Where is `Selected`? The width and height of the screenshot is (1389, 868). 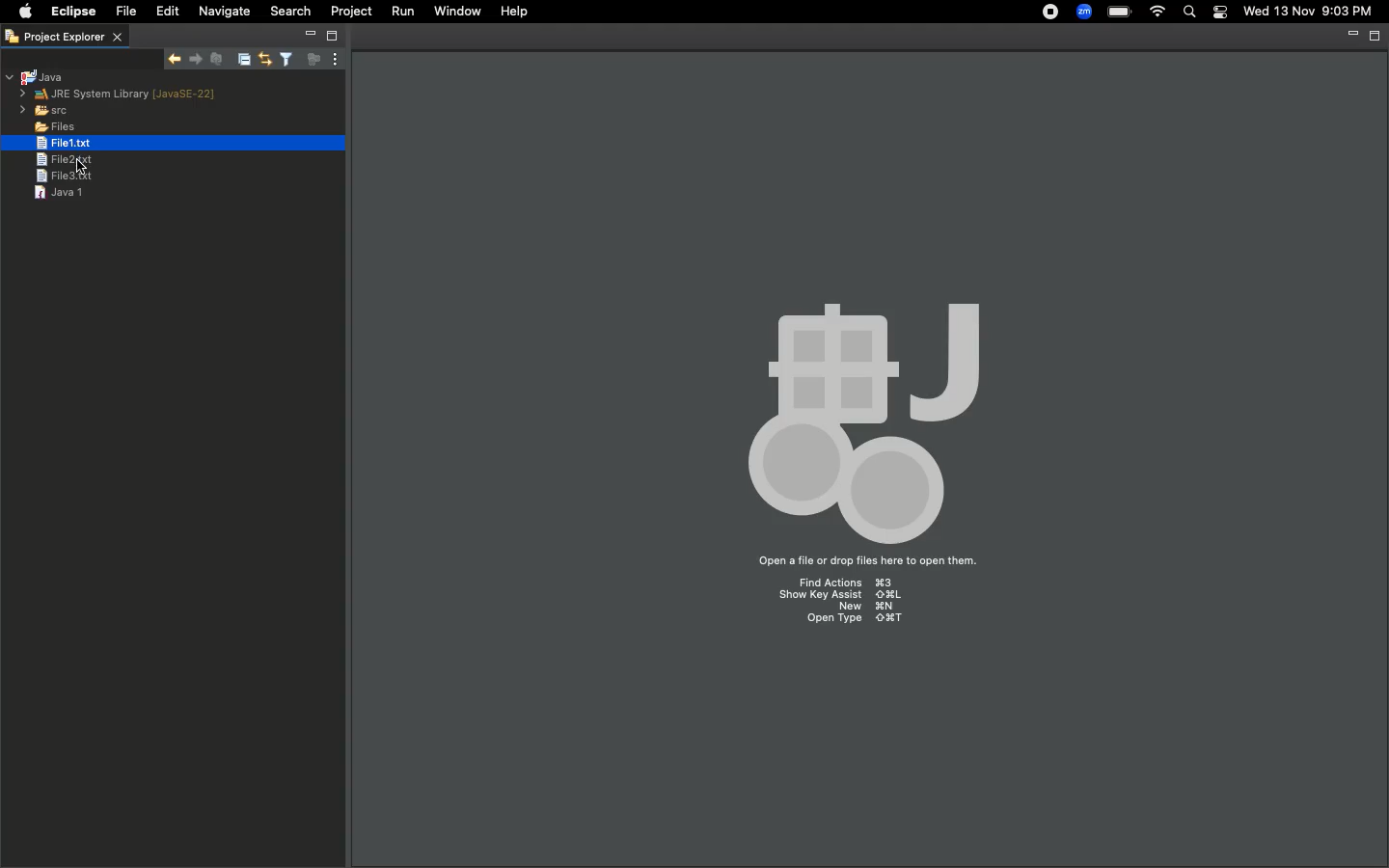 Selected is located at coordinates (68, 143).